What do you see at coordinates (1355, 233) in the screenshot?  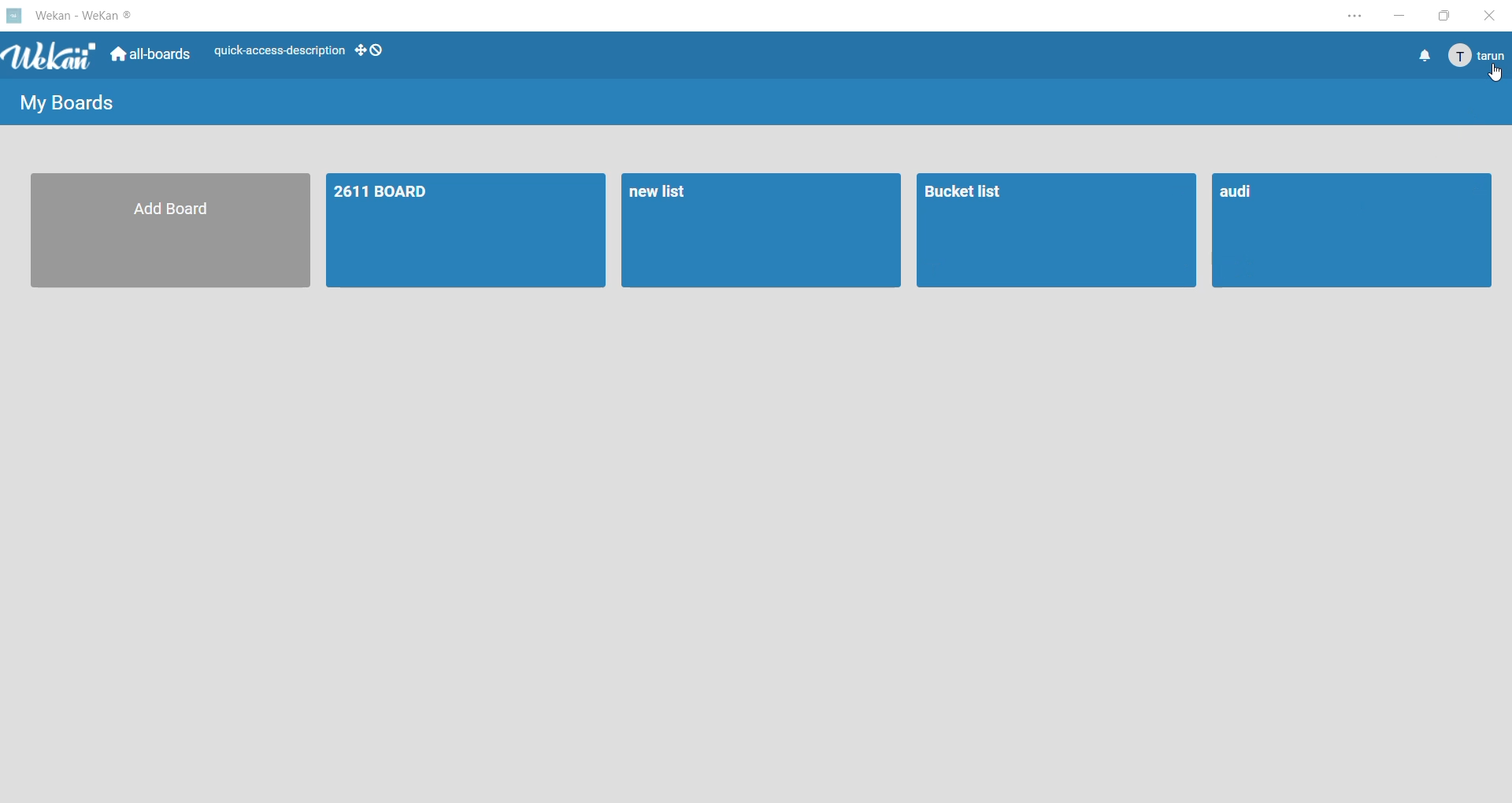 I see `audi` at bounding box center [1355, 233].